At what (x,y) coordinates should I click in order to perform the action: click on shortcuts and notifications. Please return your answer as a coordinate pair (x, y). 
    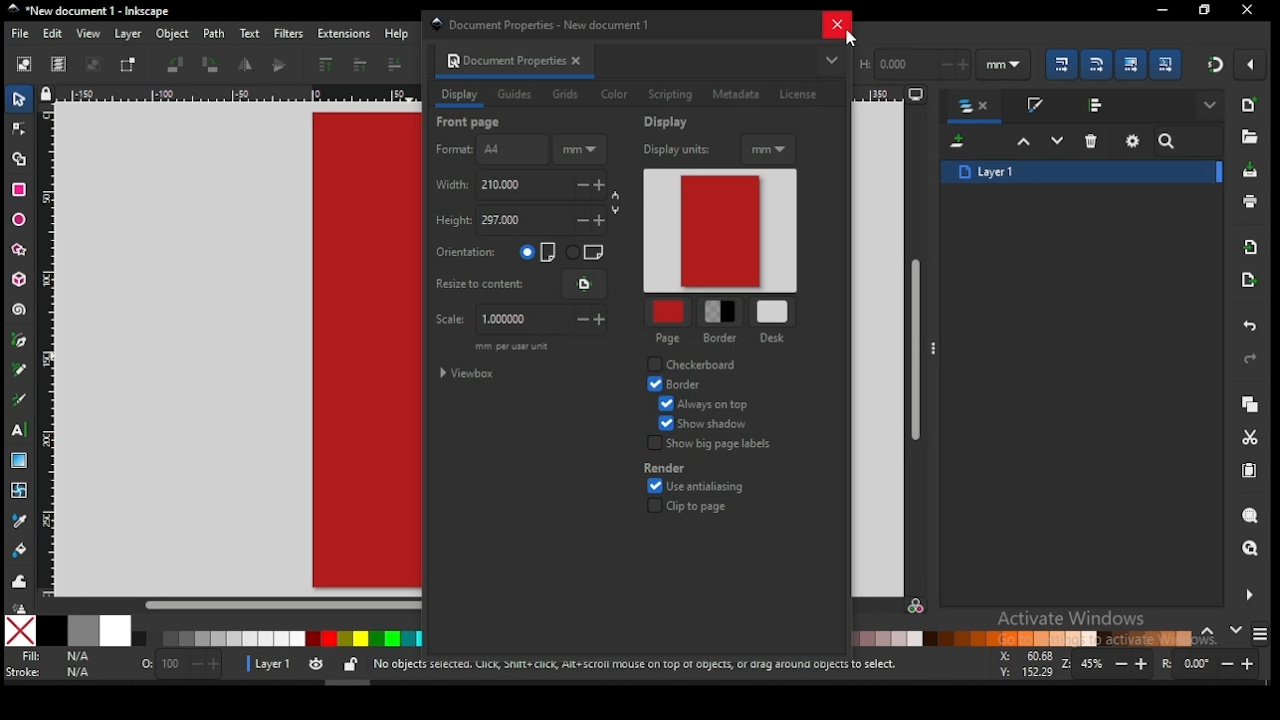
    Looking at the image, I should click on (634, 665).